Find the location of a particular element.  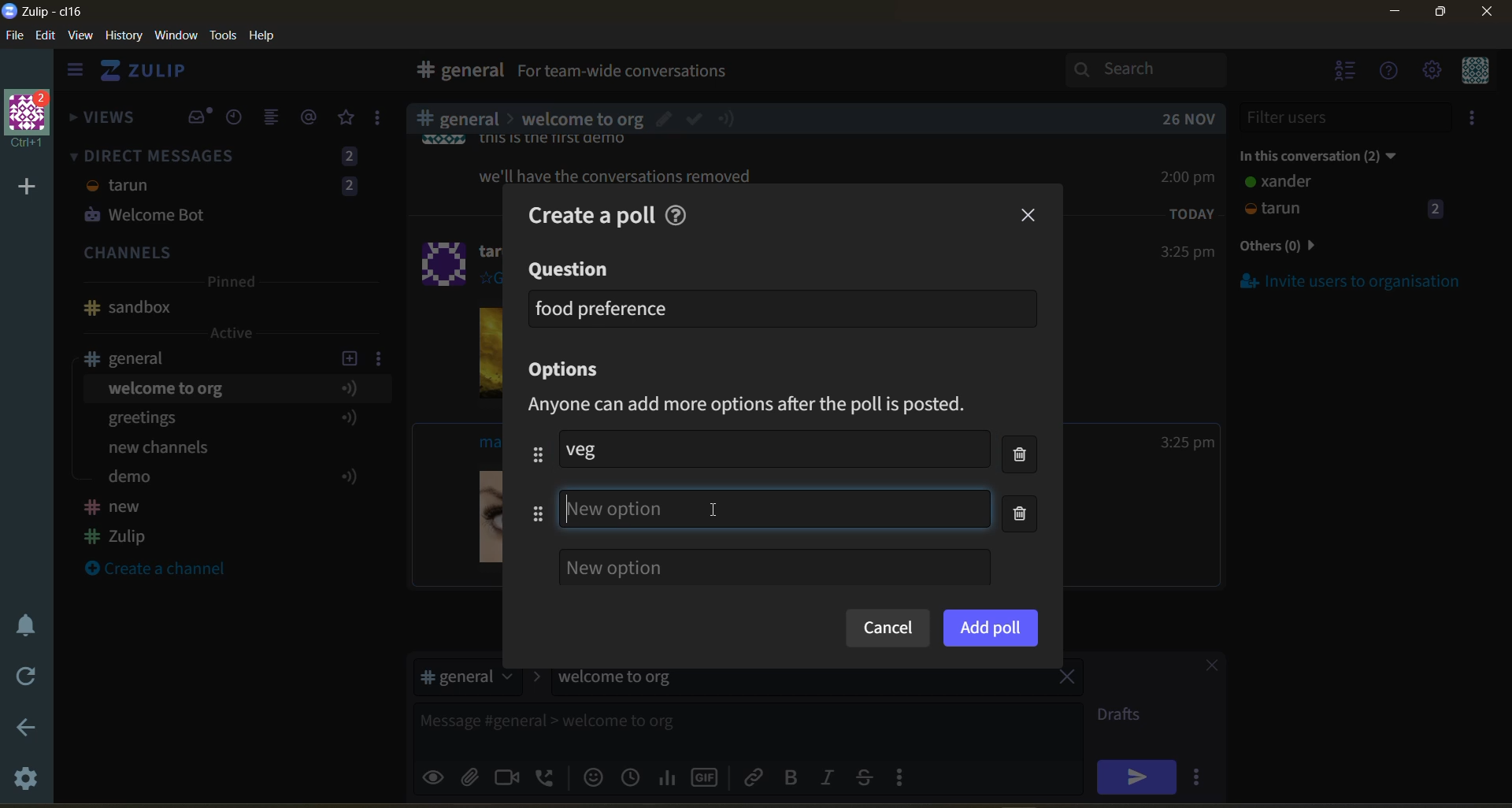

active is located at coordinates (233, 333).